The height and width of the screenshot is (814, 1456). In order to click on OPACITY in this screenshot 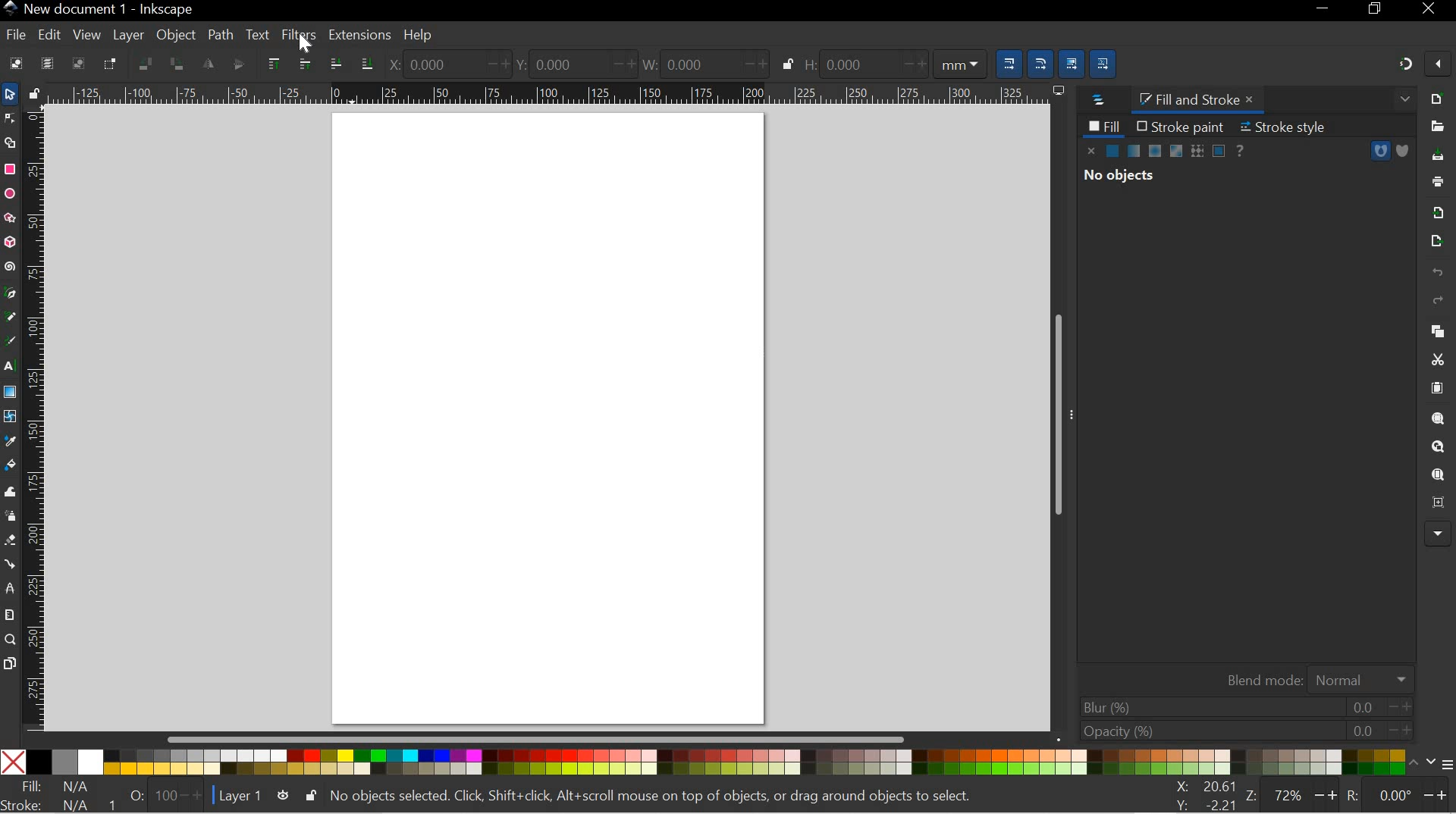, I will do `click(1241, 731)`.